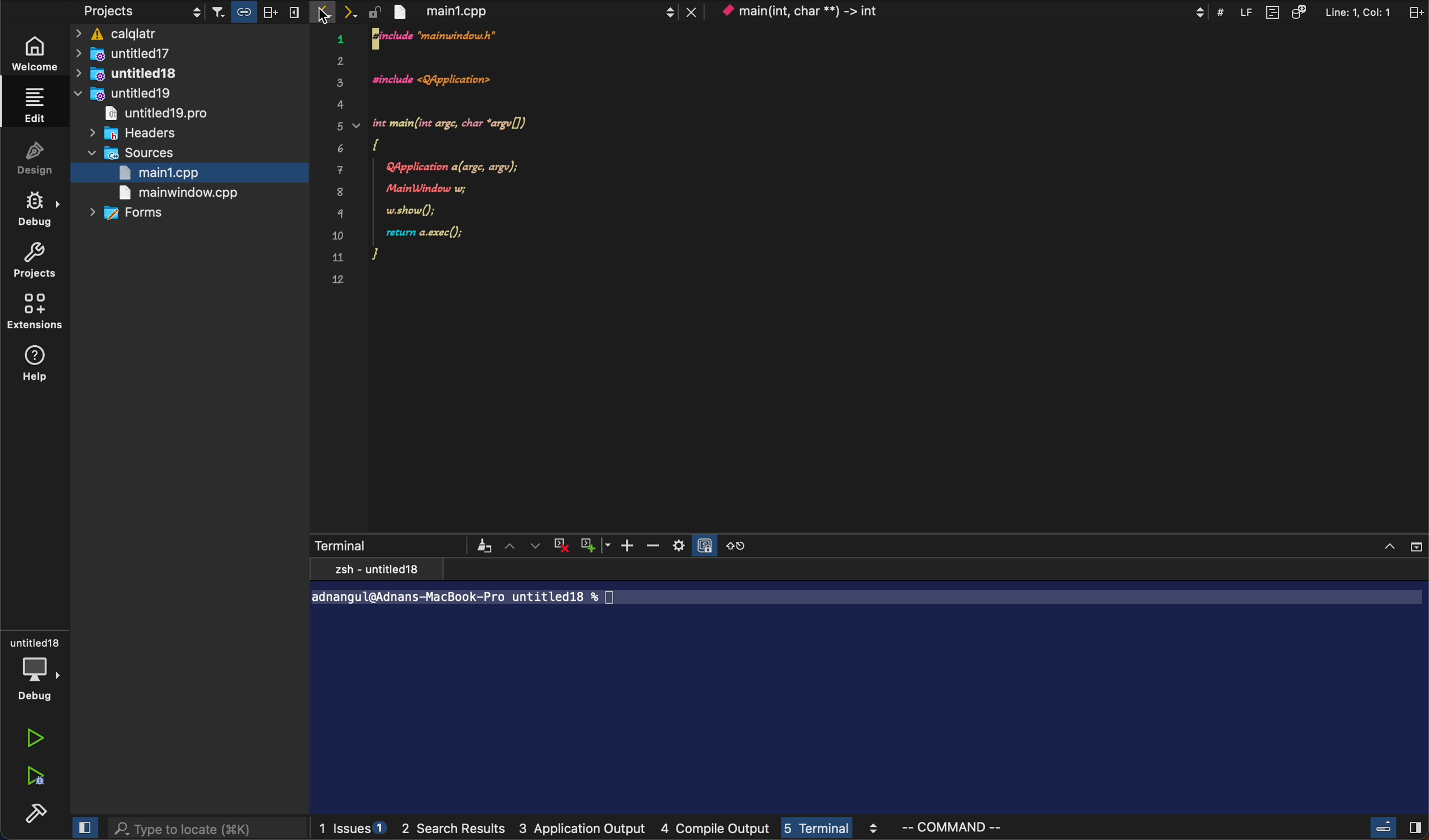 This screenshot has height=840, width=1429. I want to click on  backward arrows, so click(324, 12).